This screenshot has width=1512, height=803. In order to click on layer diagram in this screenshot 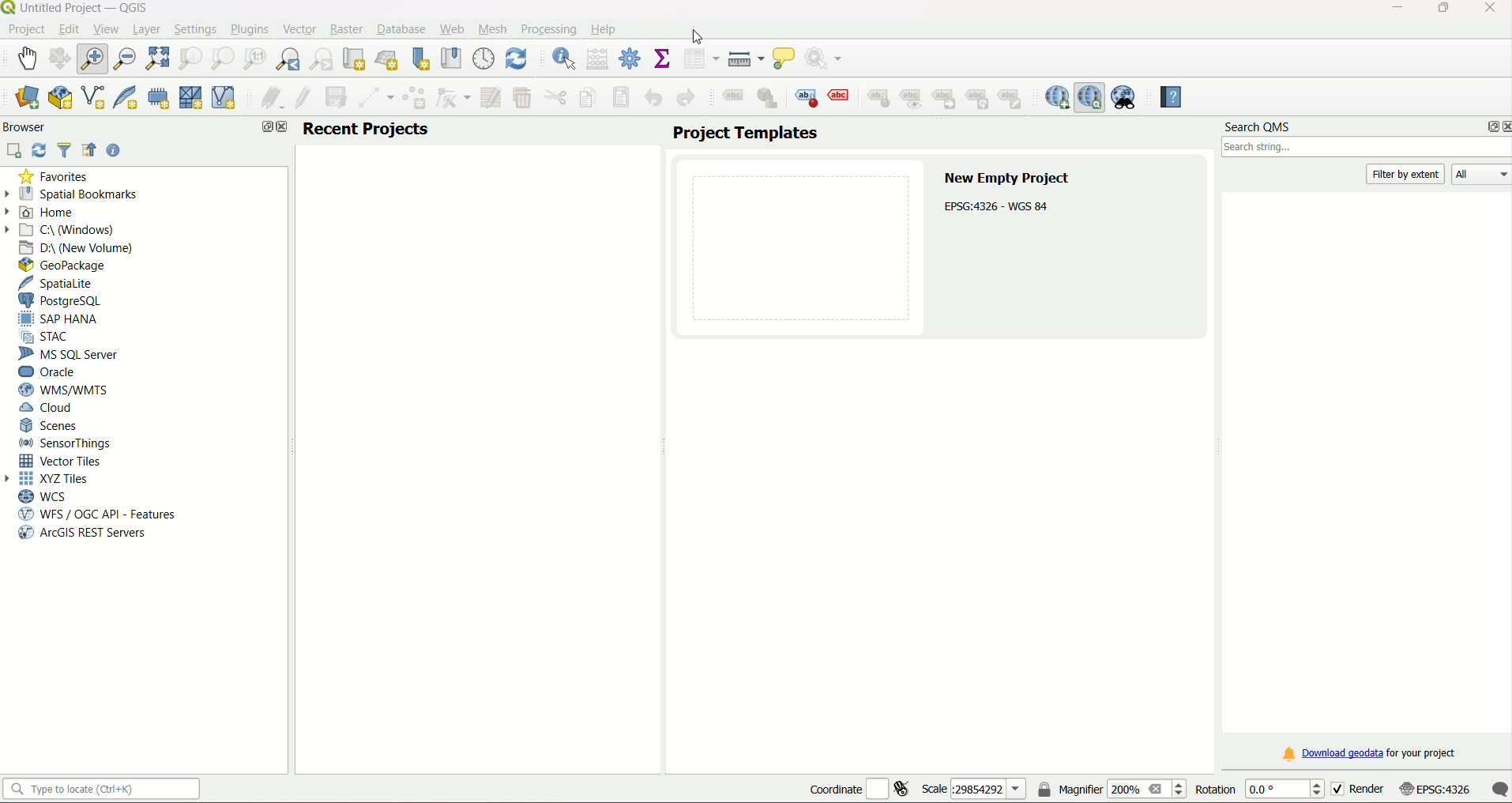, I will do `click(769, 99)`.